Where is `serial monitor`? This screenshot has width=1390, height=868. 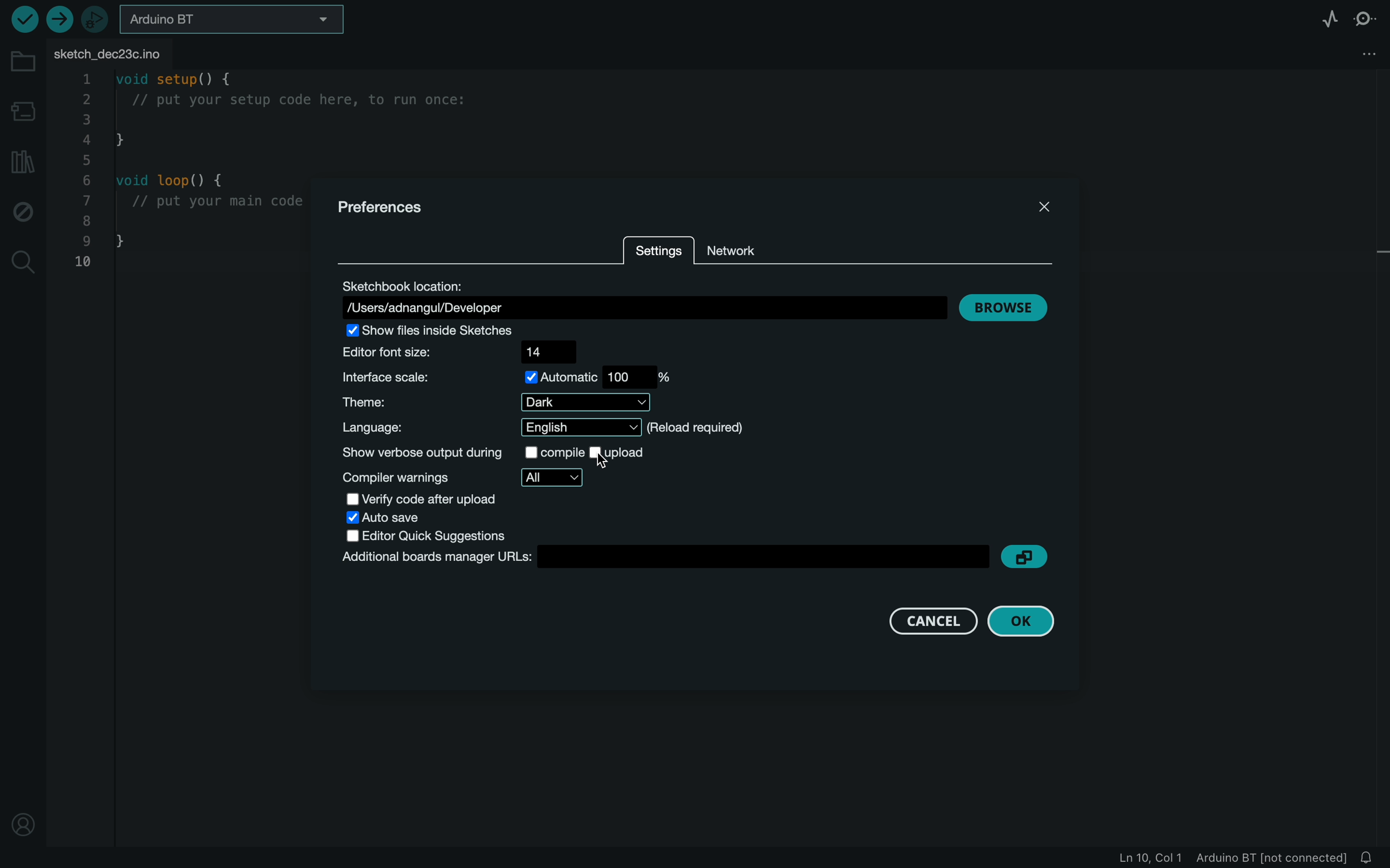 serial monitor is located at coordinates (1368, 17).